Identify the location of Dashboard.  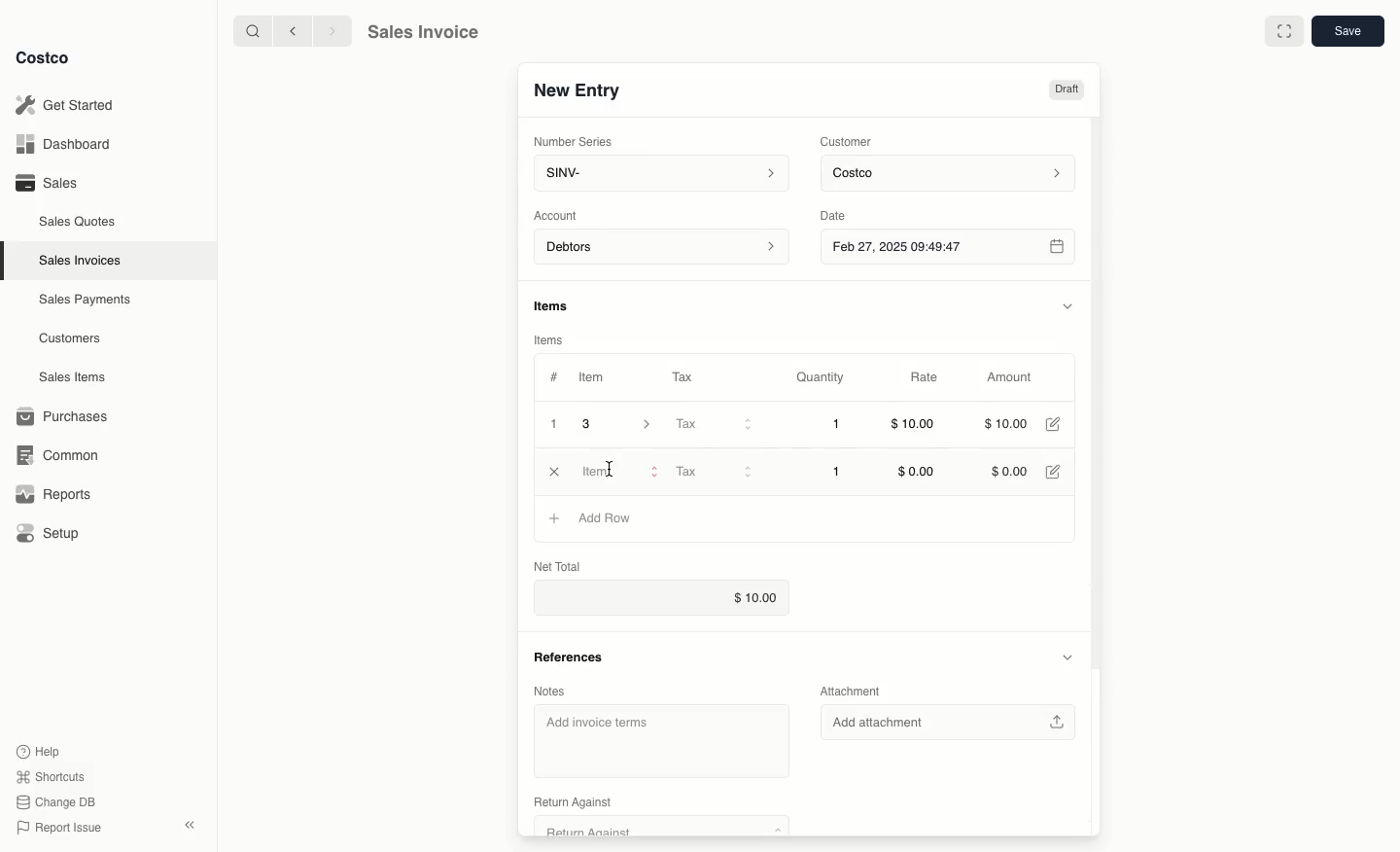
(68, 145).